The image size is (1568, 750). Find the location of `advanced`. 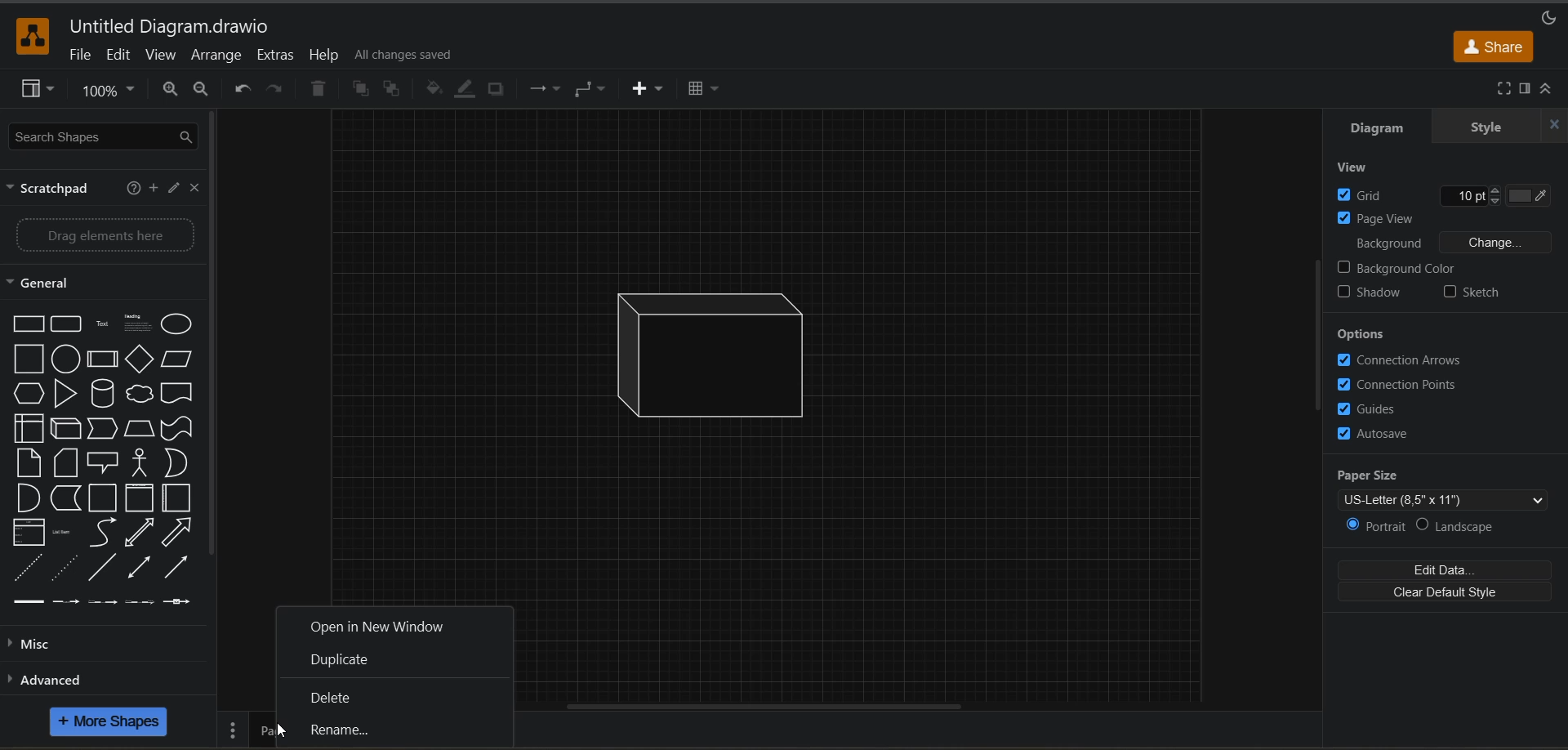

advanced is located at coordinates (49, 679).